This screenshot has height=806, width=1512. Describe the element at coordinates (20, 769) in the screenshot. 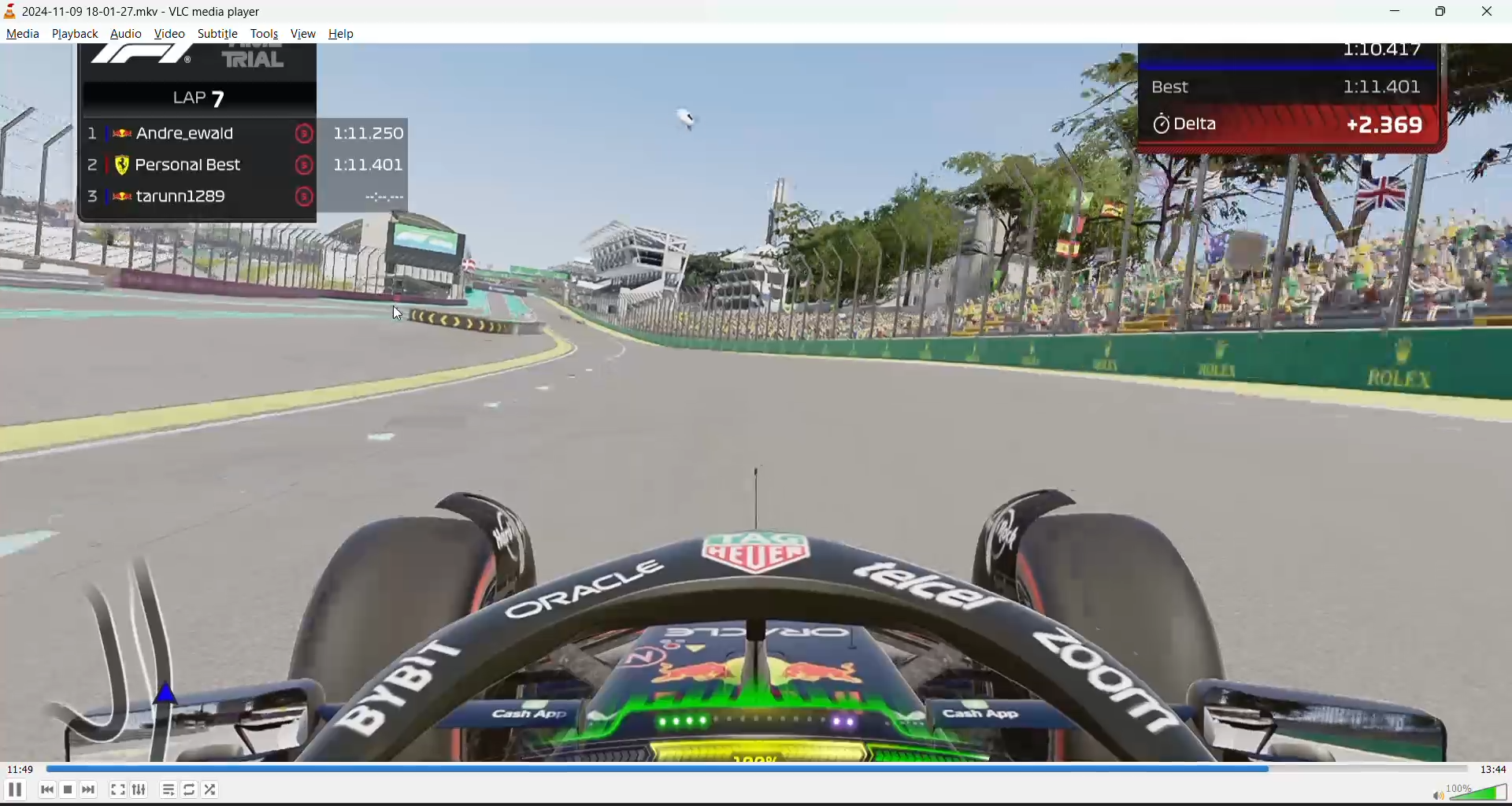

I see `current track time` at that location.